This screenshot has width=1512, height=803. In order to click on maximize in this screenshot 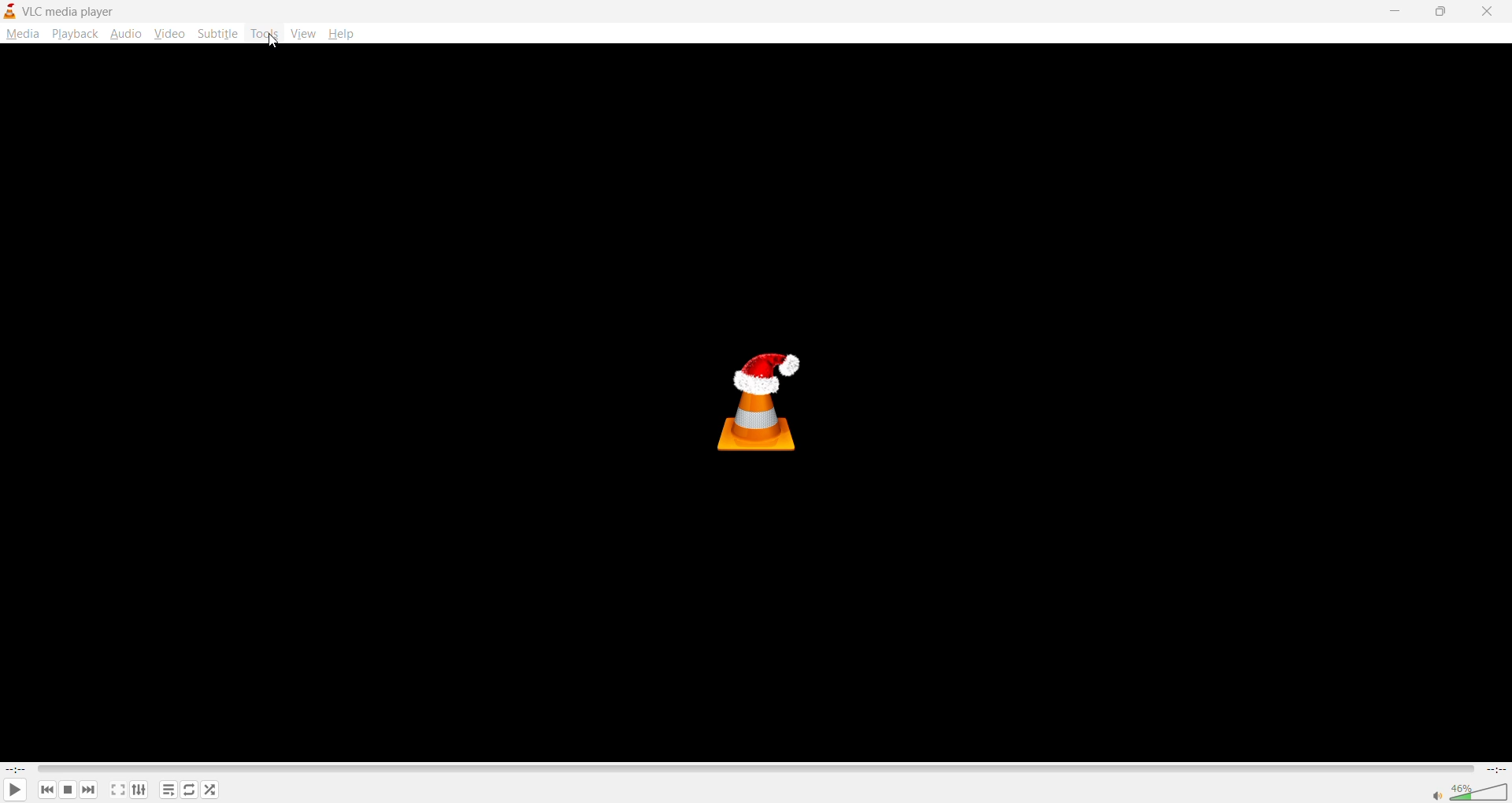, I will do `click(1440, 13)`.